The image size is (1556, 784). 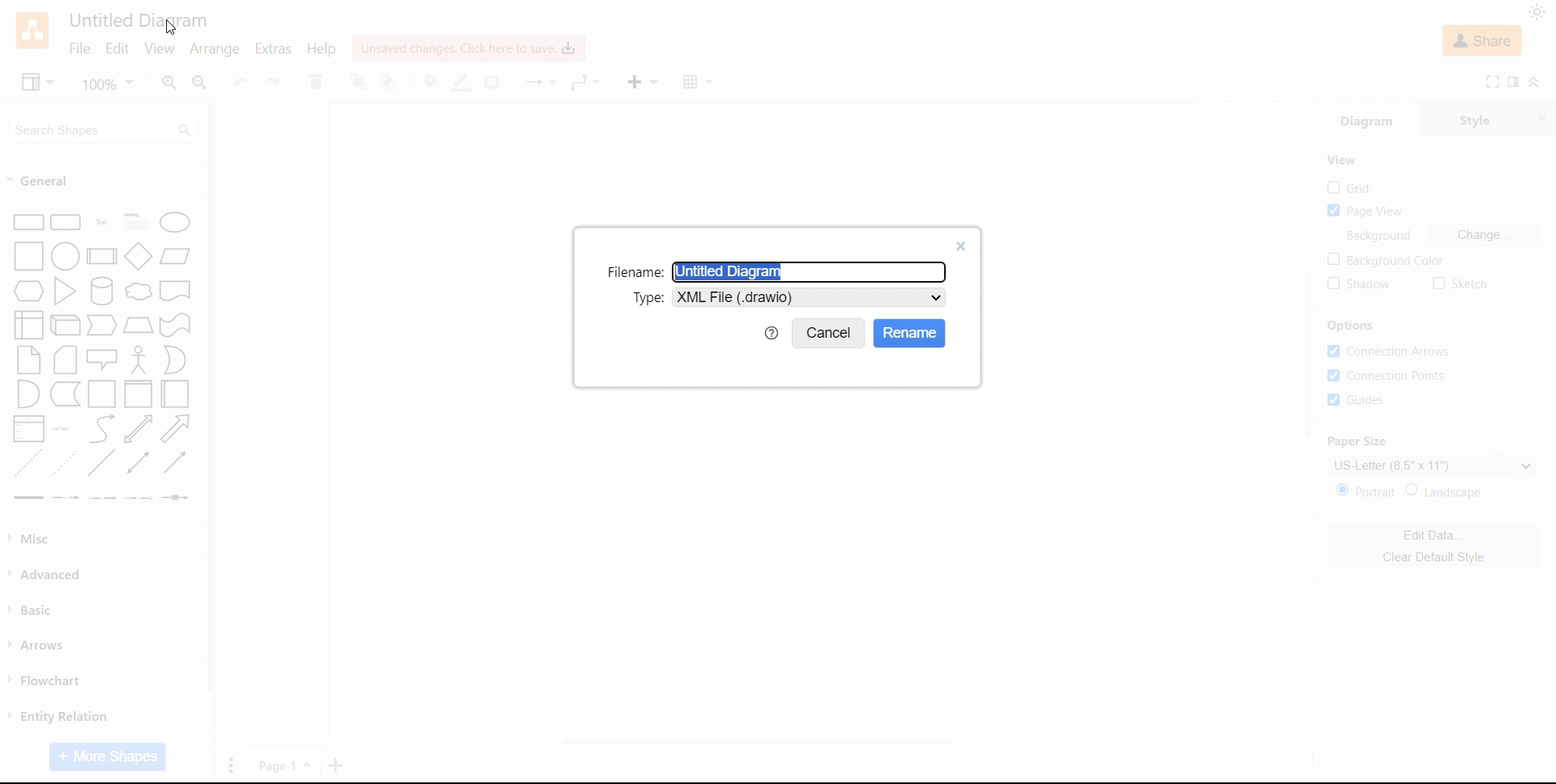 What do you see at coordinates (79, 49) in the screenshot?
I see `File ` at bounding box center [79, 49].